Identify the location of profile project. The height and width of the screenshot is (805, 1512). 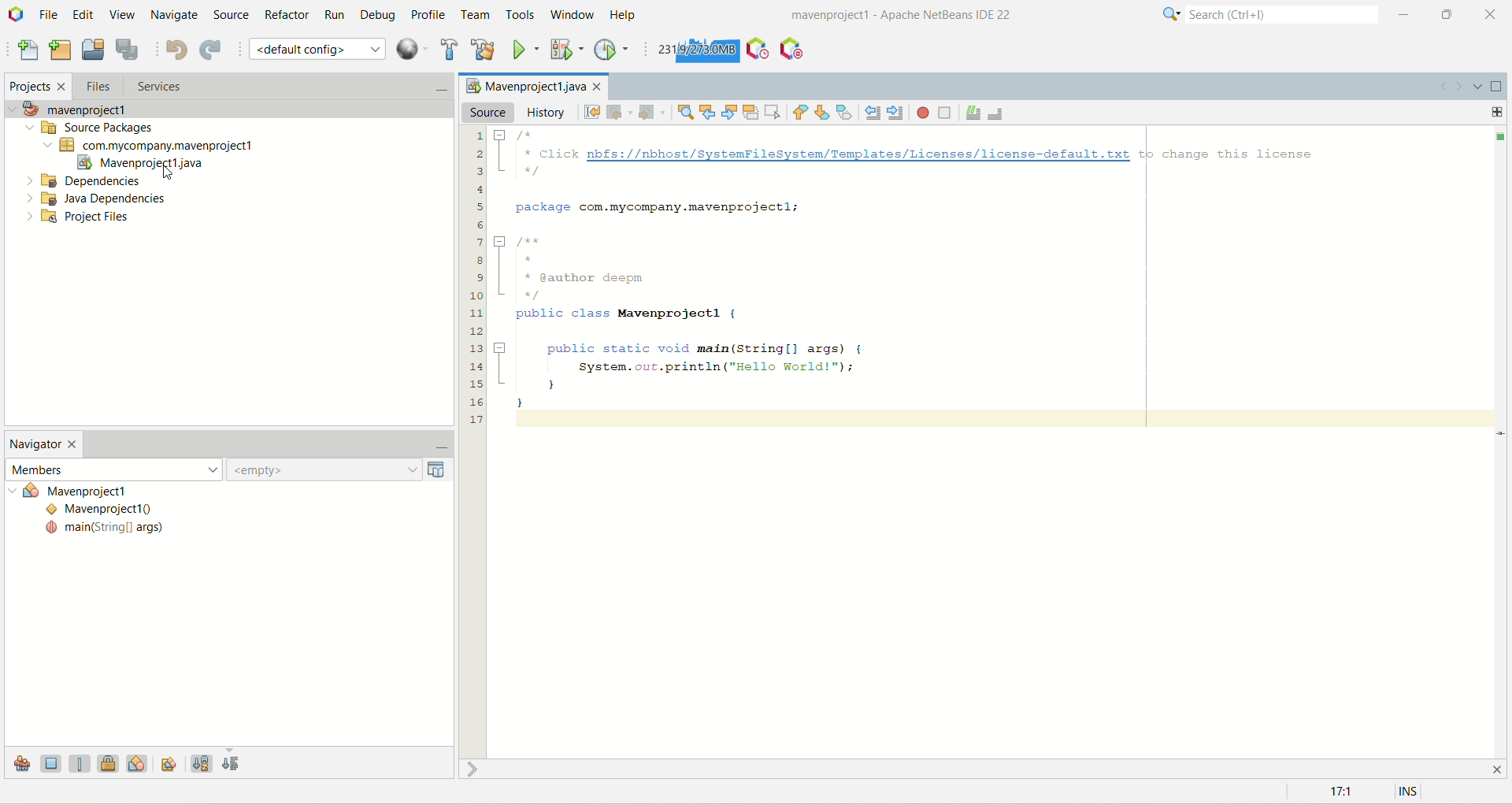
(613, 50).